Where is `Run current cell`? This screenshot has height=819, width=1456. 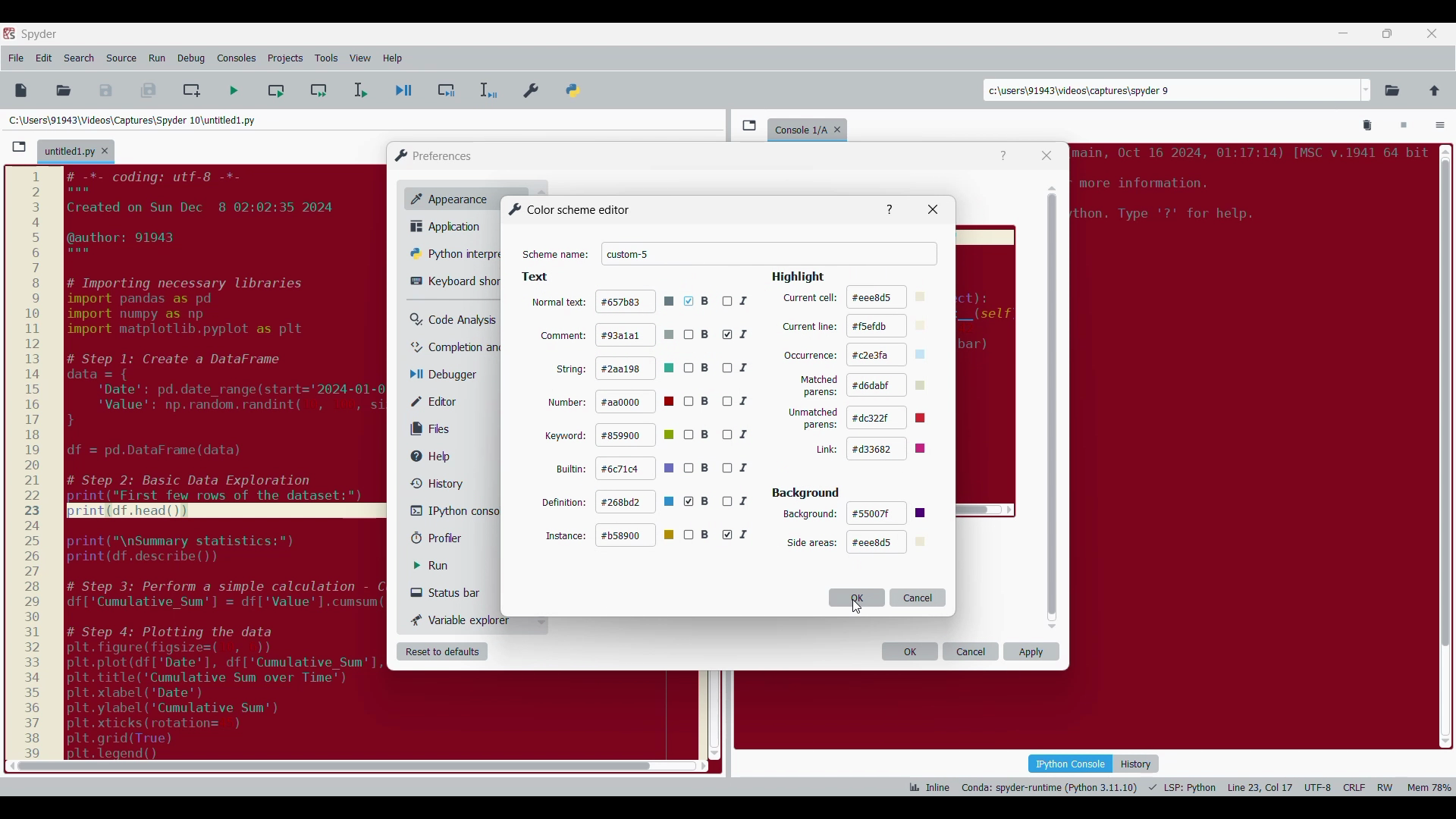 Run current cell is located at coordinates (276, 90).